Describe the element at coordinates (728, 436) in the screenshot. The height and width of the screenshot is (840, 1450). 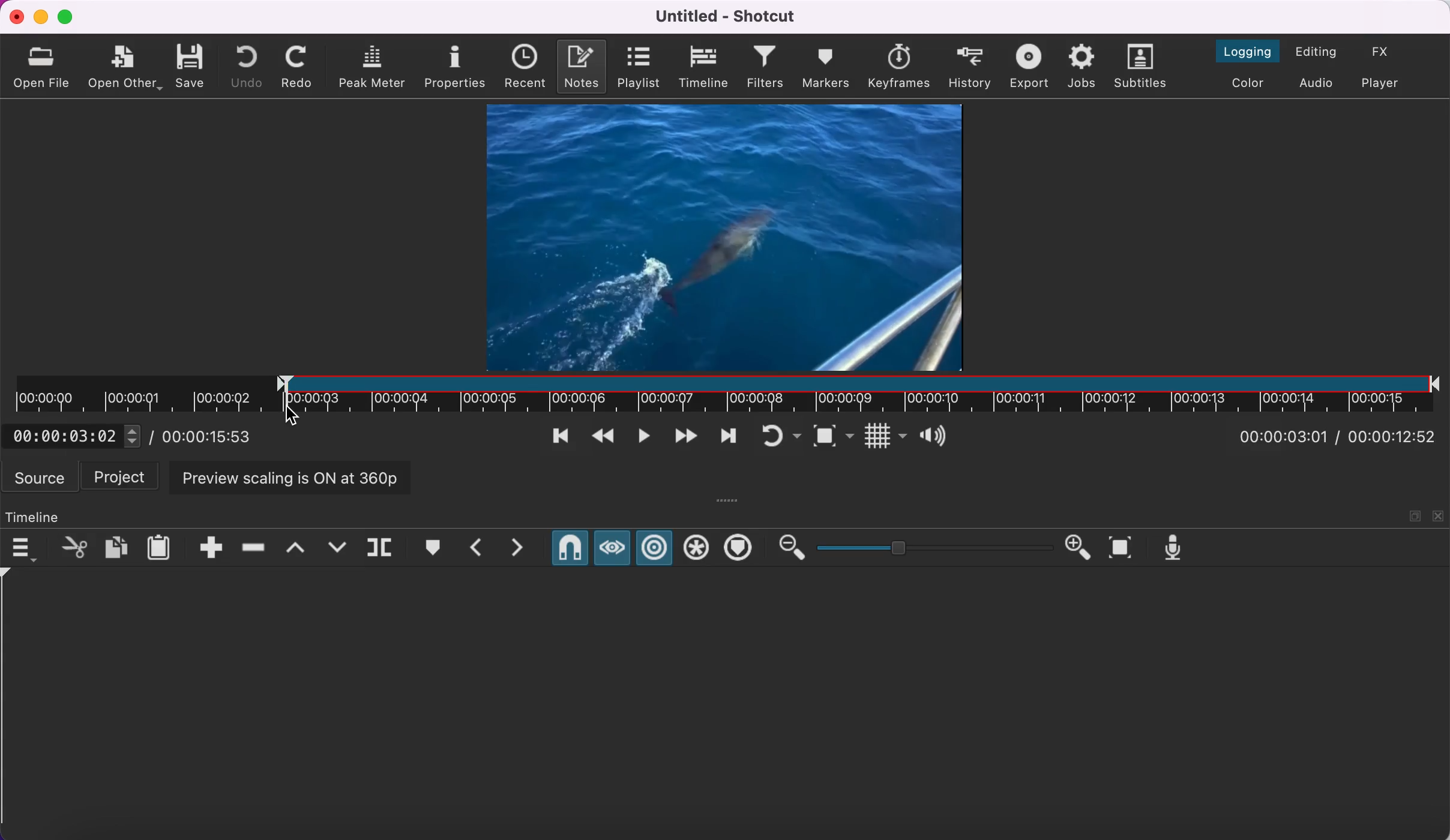
I see `skip to next point` at that location.